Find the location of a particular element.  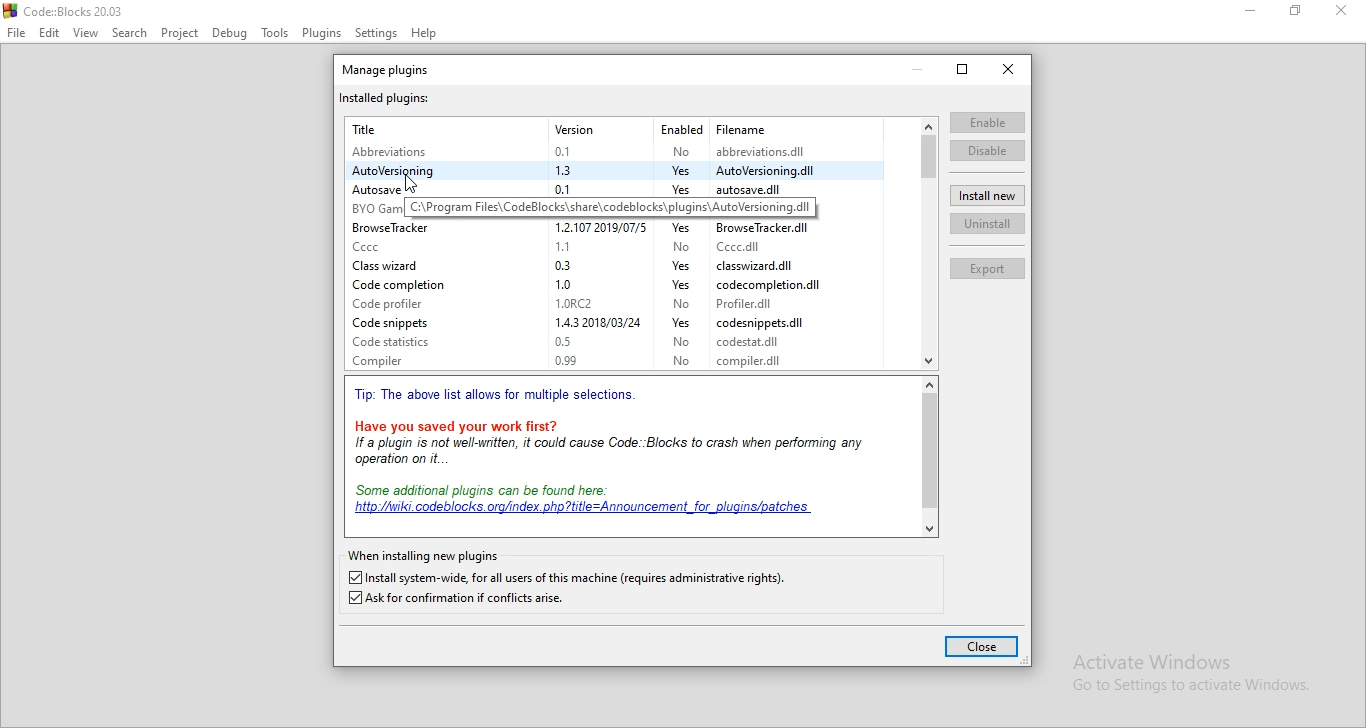

No is located at coordinates (678, 343).